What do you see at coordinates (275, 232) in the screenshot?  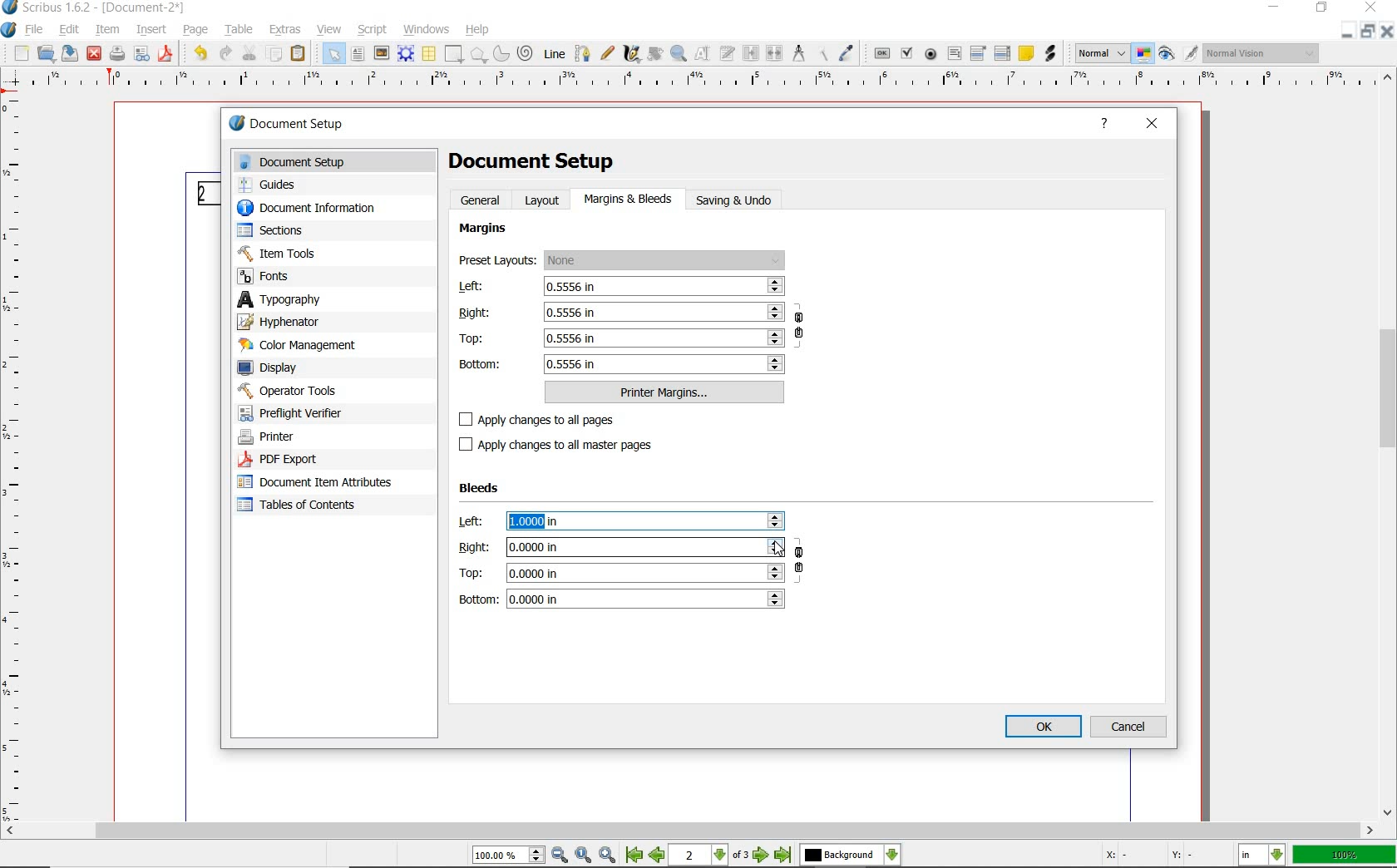 I see `sectors` at bounding box center [275, 232].